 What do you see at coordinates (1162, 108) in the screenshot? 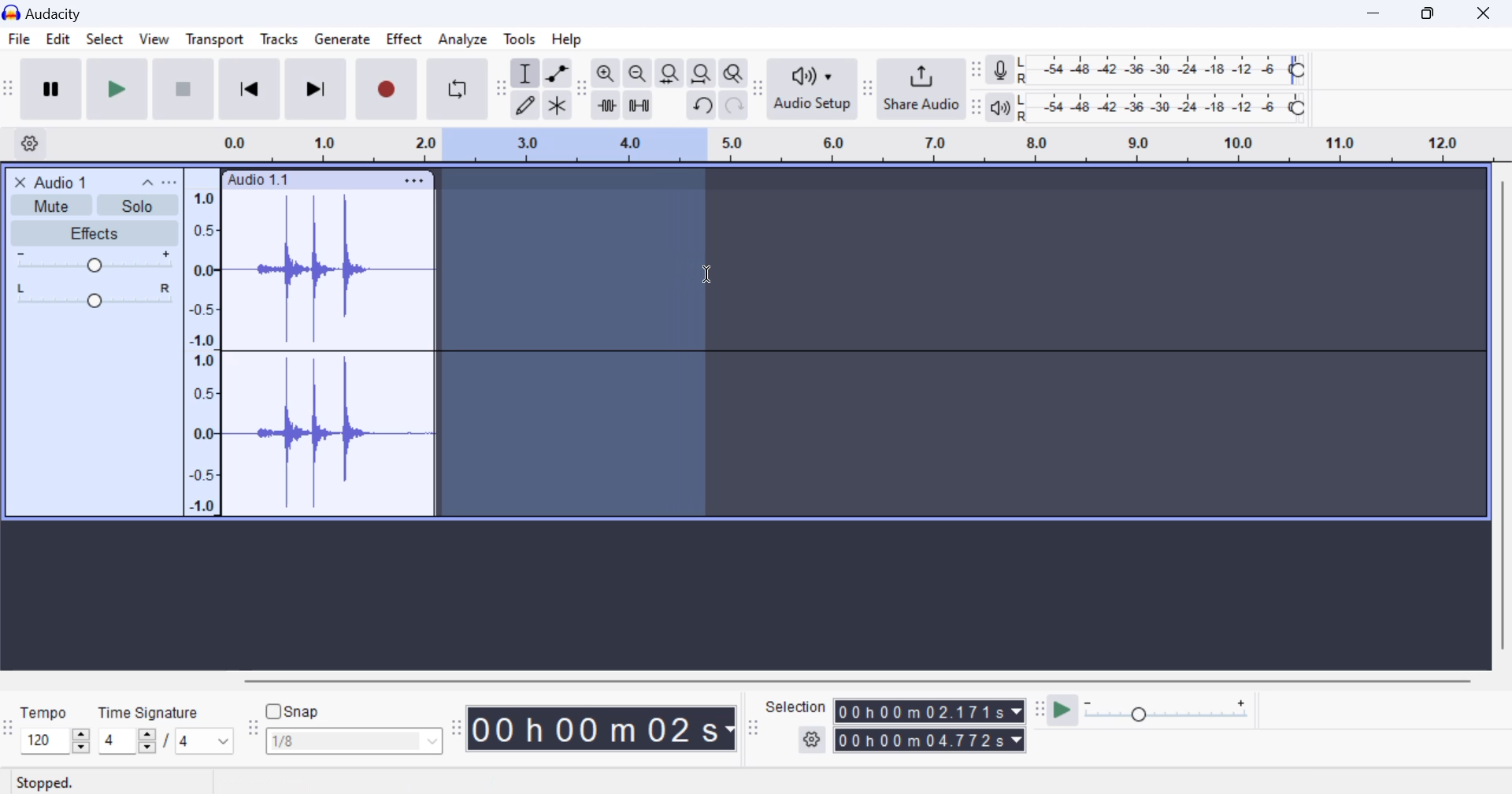
I see `Playback Level` at bounding box center [1162, 108].